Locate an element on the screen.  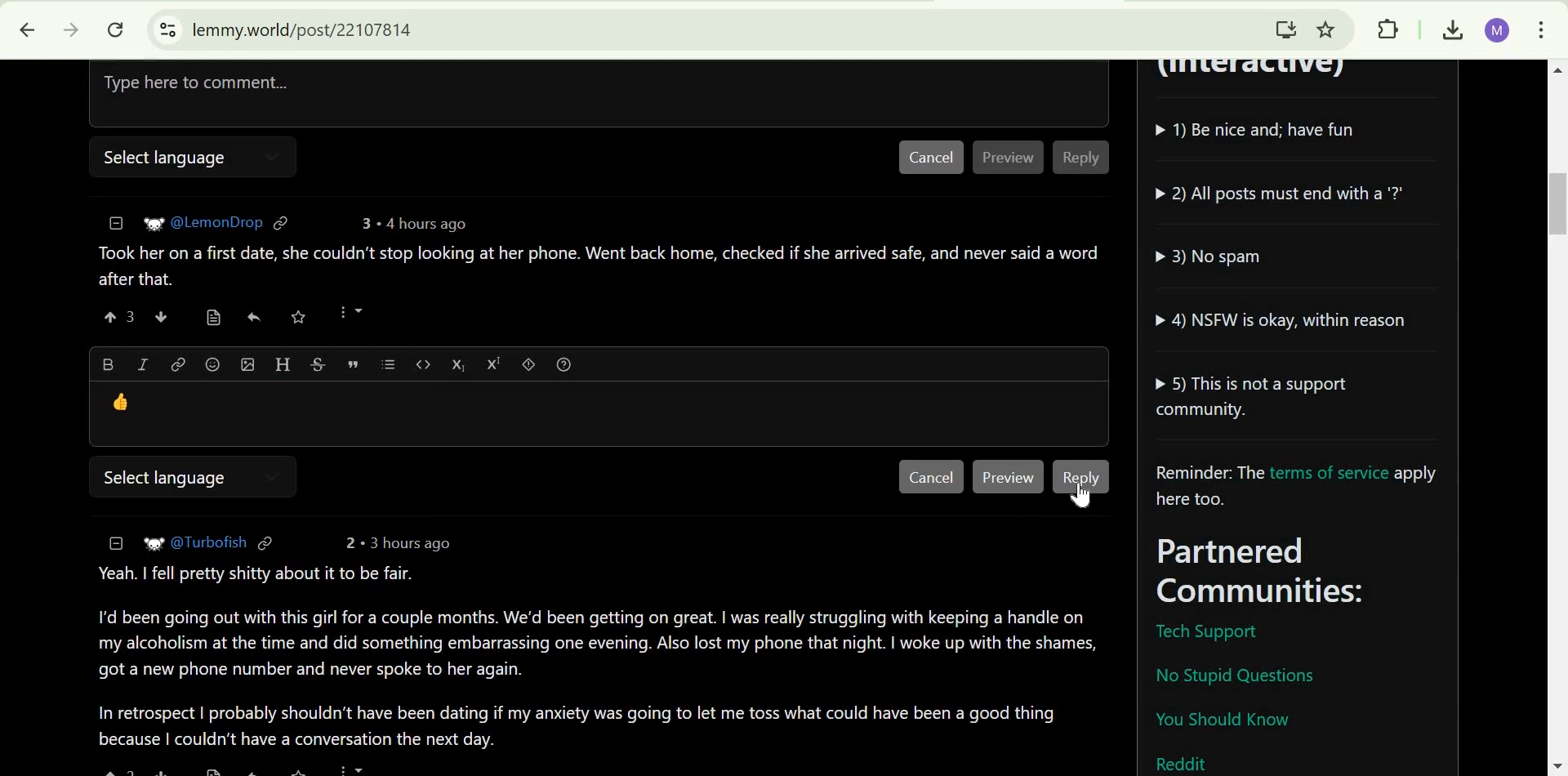
collapse is located at coordinates (114, 223).